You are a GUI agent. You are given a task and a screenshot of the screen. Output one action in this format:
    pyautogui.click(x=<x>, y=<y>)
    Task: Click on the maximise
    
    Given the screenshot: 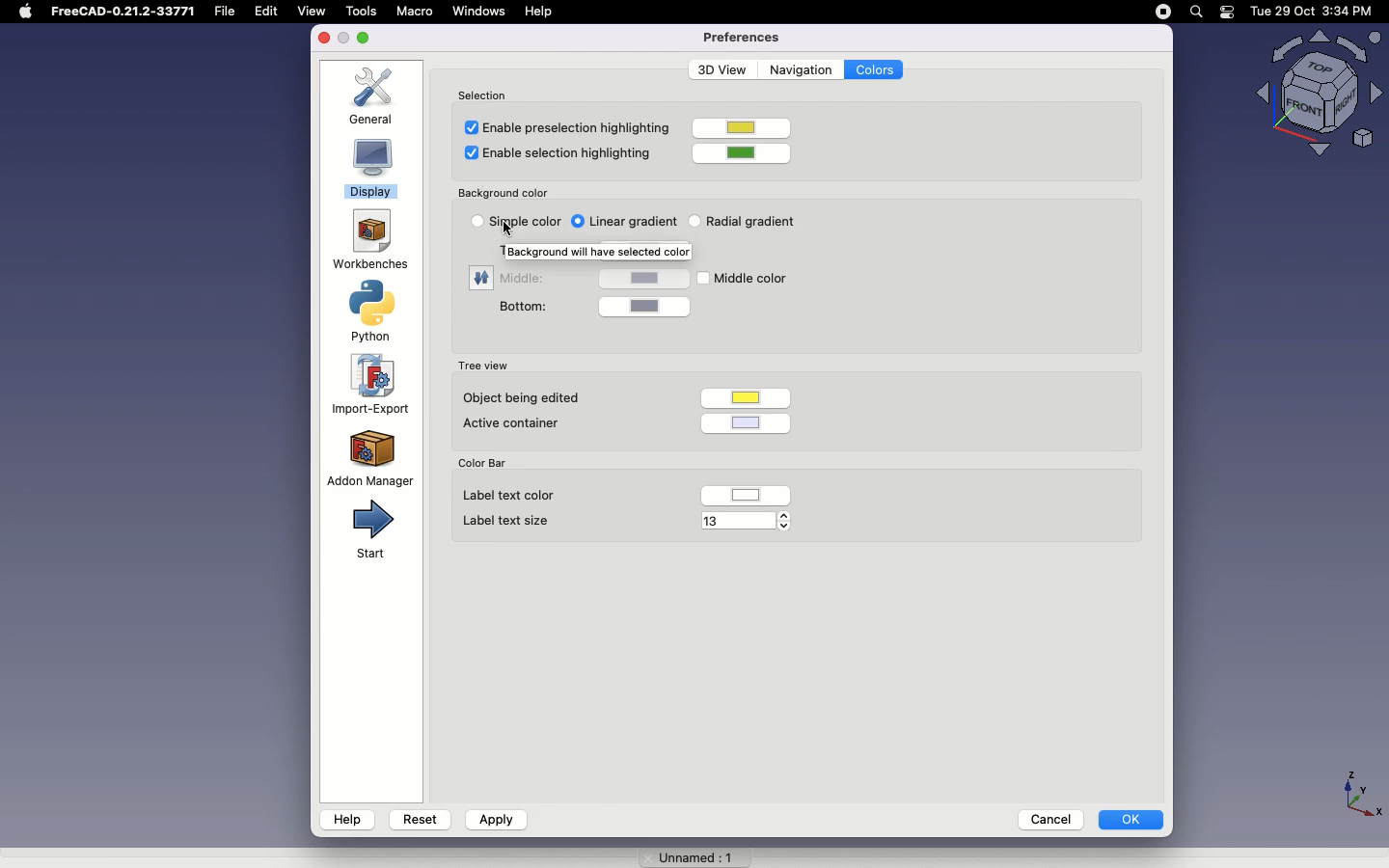 What is the action you would take?
    pyautogui.click(x=367, y=38)
    